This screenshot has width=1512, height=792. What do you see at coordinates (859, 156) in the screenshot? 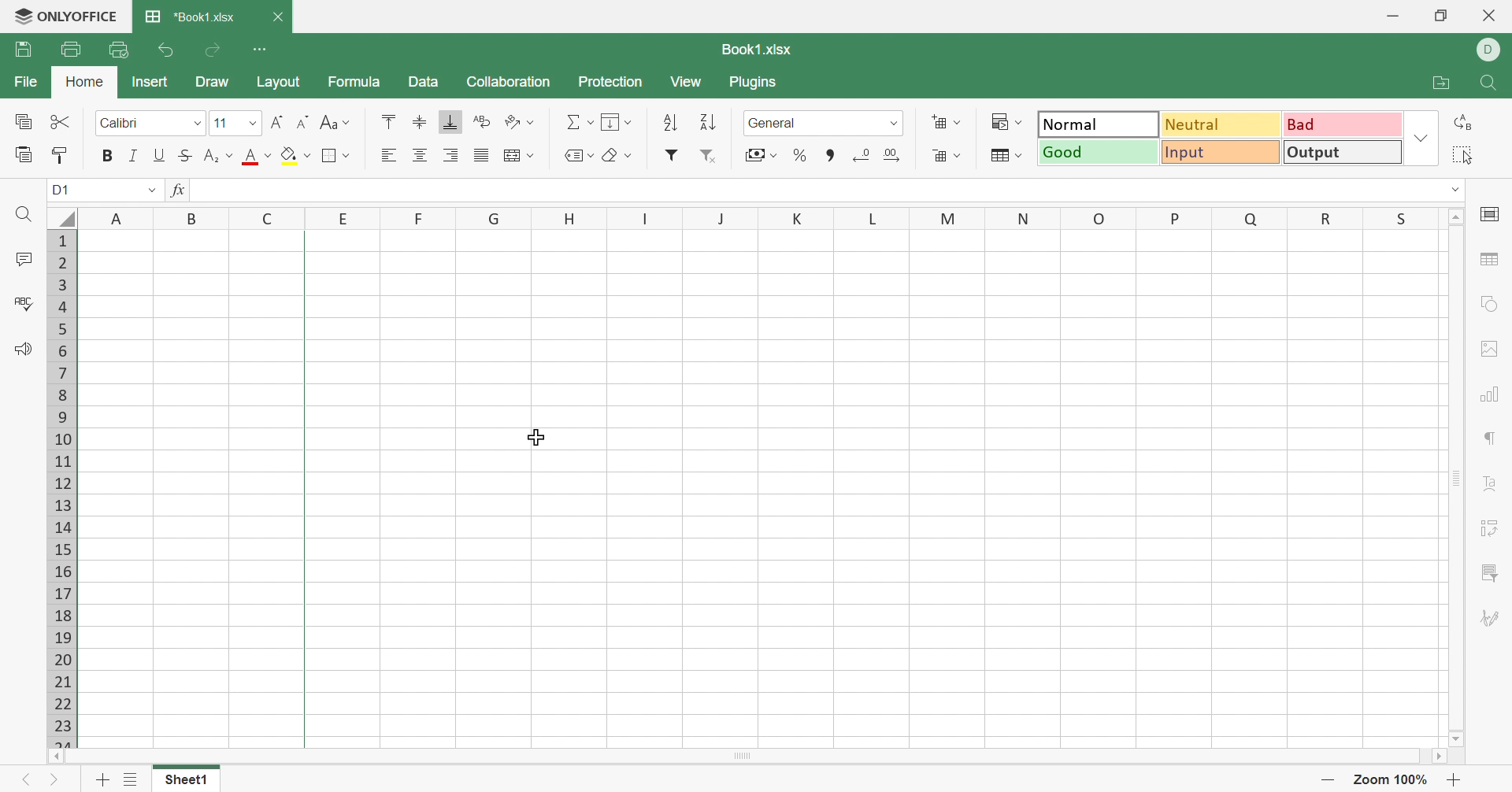
I see `Increase decimals` at bounding box center [859, 156].